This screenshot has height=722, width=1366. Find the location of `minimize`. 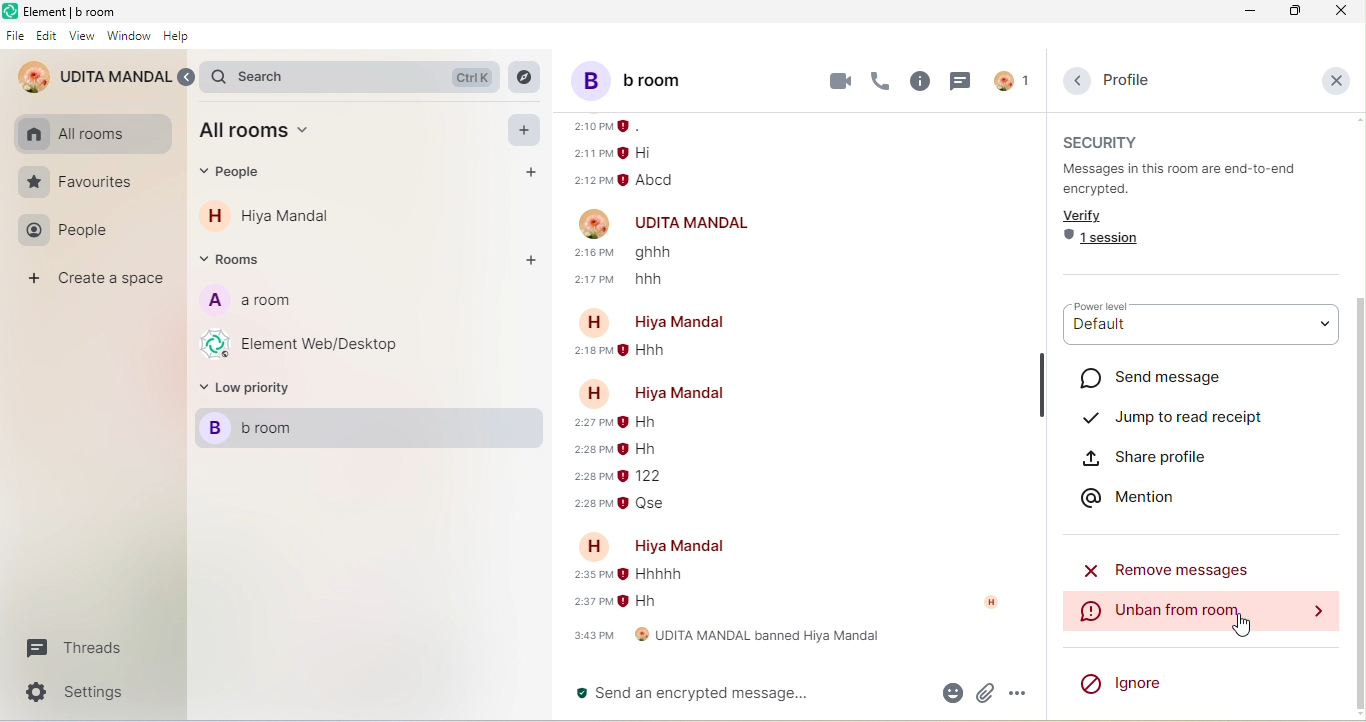

minimize is located at coordinates (1248, 11).